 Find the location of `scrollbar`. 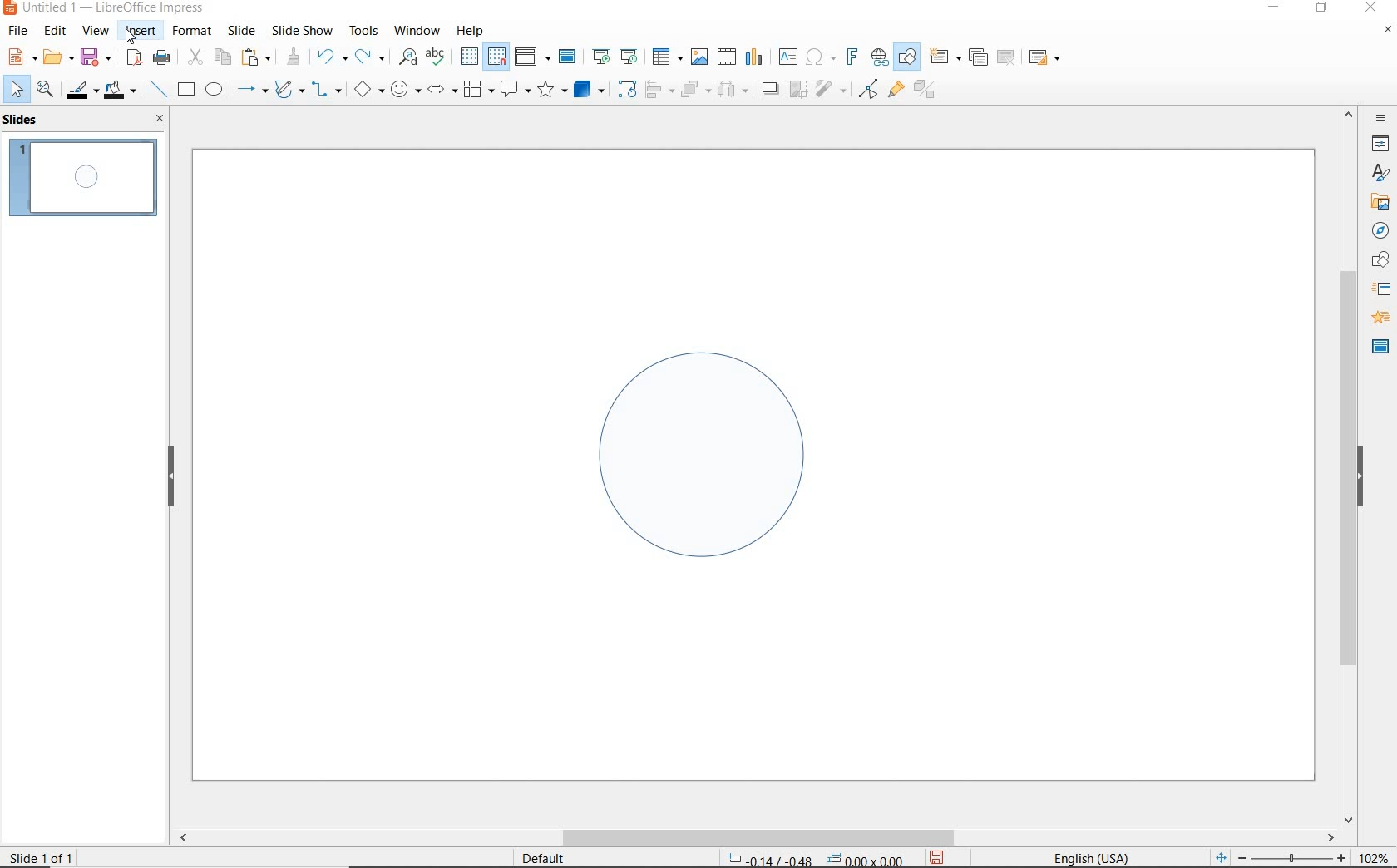

scrollbar is located at coordinates (755, 837).